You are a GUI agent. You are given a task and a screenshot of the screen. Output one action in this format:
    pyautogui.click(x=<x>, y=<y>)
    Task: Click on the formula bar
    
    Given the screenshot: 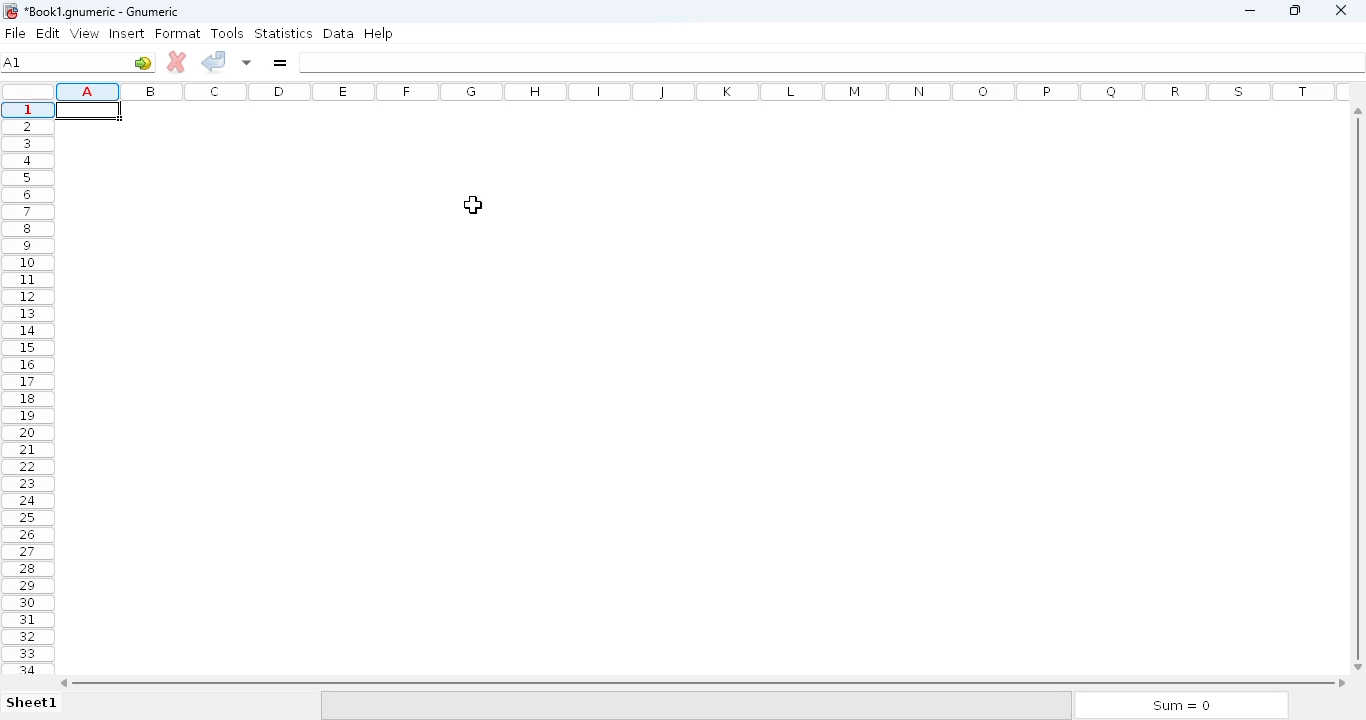 What is the action you would take?
    pyautogui.click(x=833, y=63)
    